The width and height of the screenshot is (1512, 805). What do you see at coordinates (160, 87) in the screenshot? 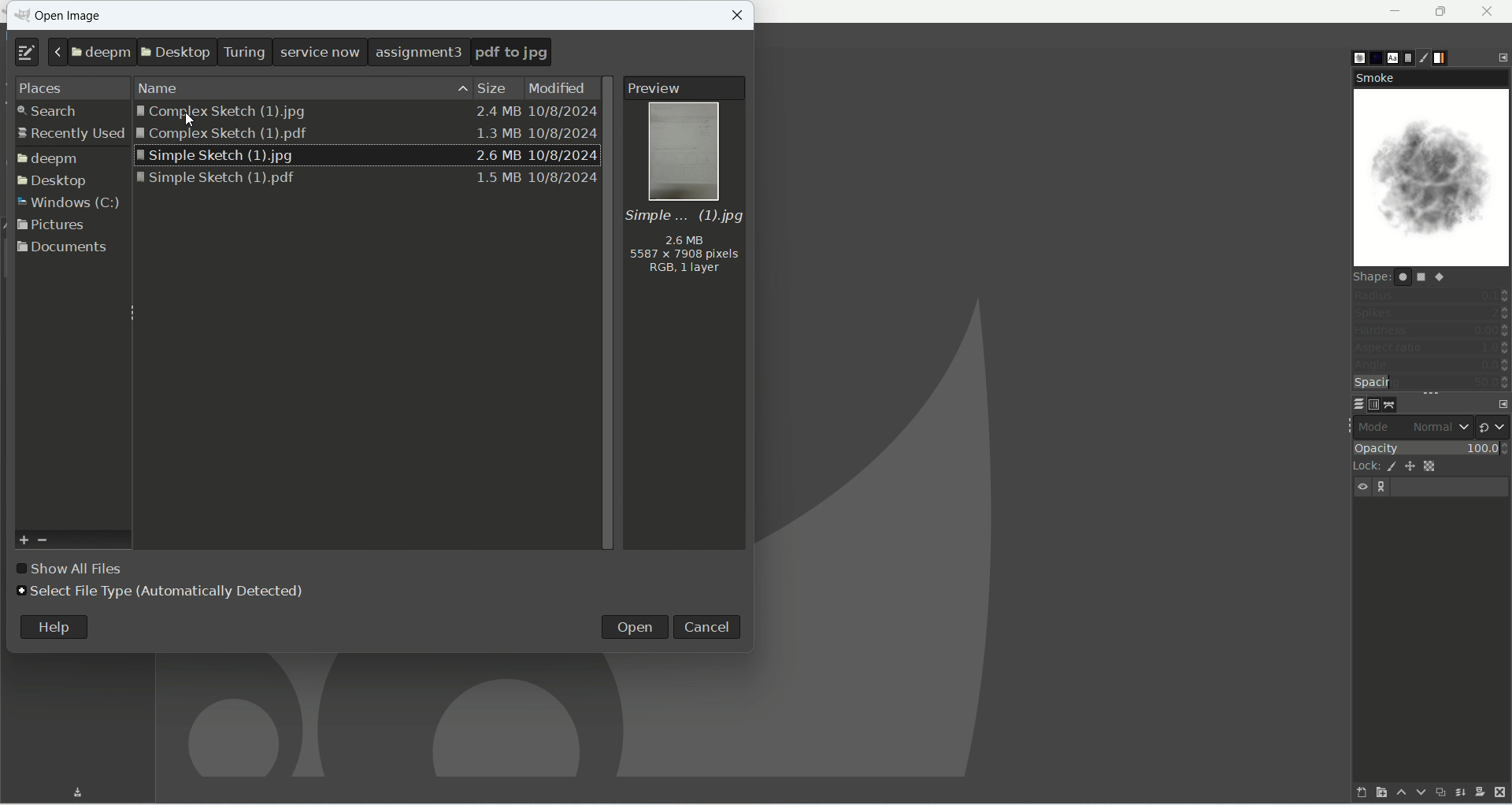
I see `name` at bounding box center [160, 87].